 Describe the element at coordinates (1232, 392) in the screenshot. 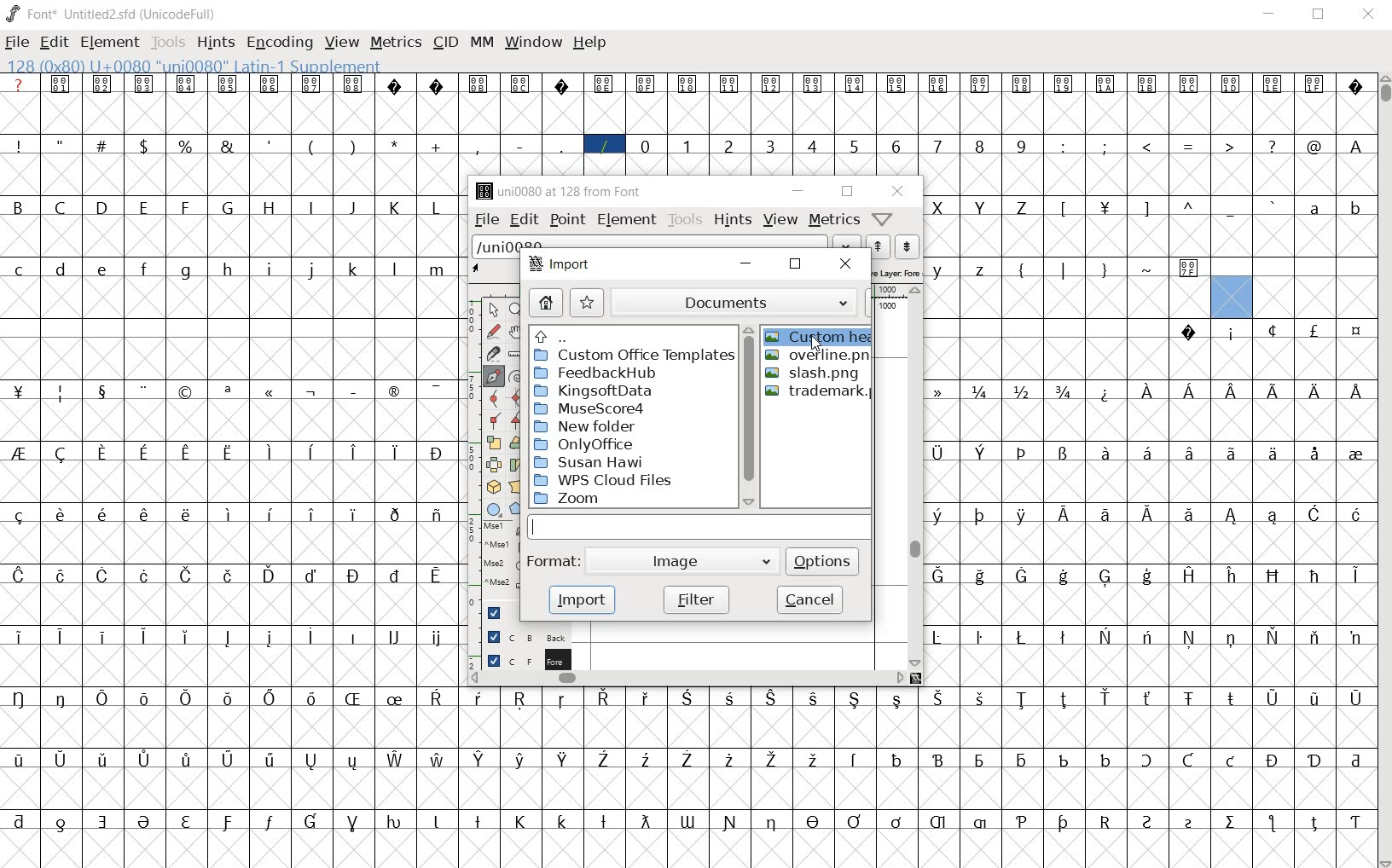

I see `glyph` at that location.